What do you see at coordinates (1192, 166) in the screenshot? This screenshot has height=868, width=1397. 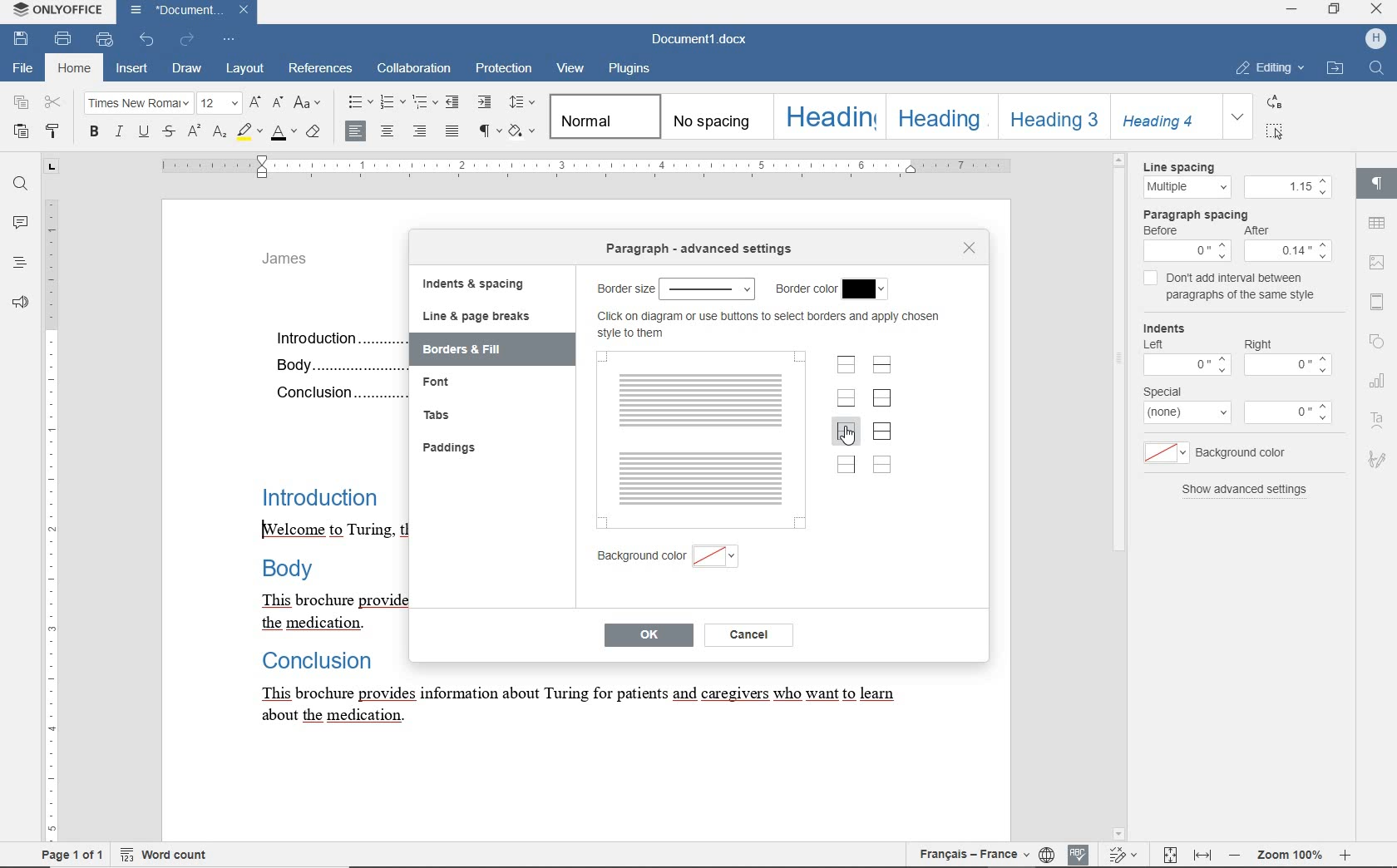 I see `Line spacing` at bounding box center [1192, 166].